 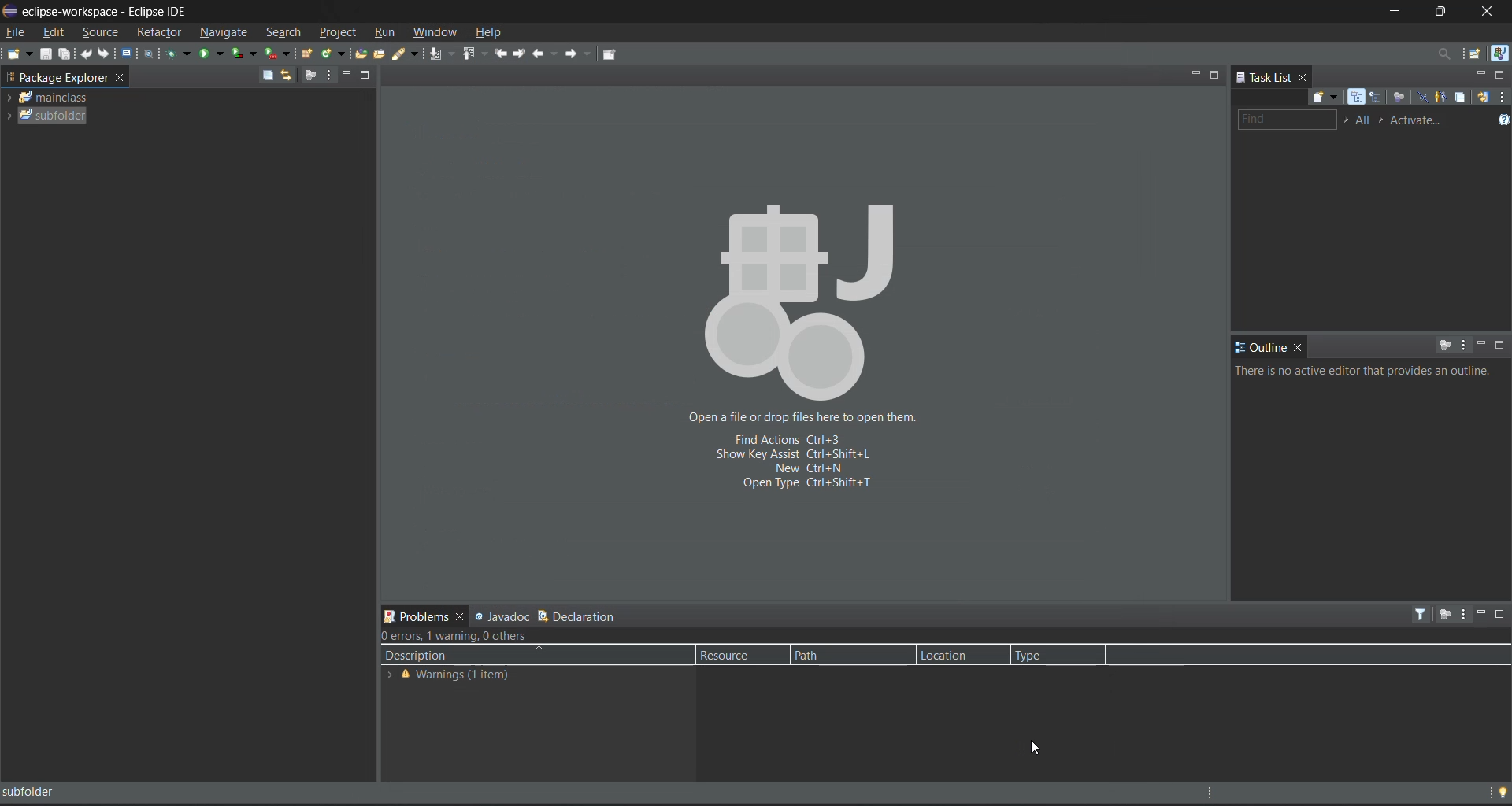 What do you see at coordinates (1443, 12) in the screenshot?
I see `maximize` at bounding box center [1443, 12].